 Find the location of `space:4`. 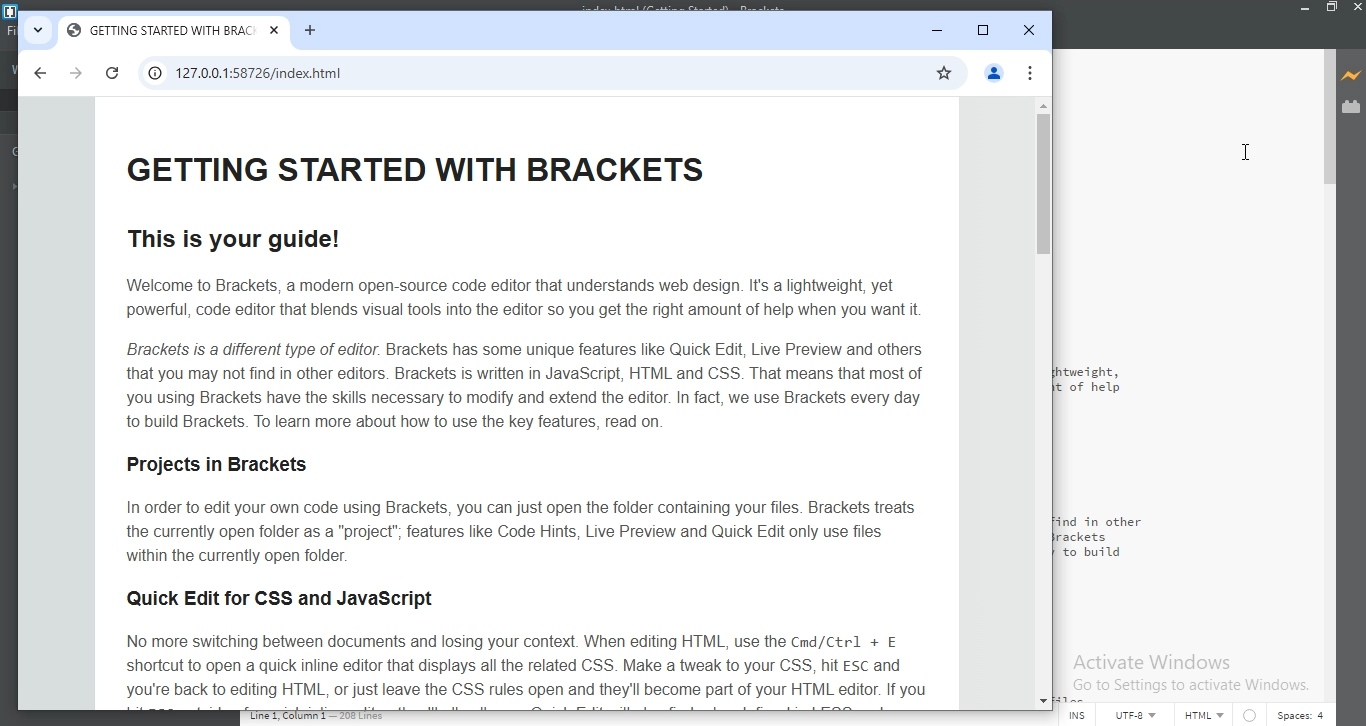

space:4 is located at coordinates (1304, 717).